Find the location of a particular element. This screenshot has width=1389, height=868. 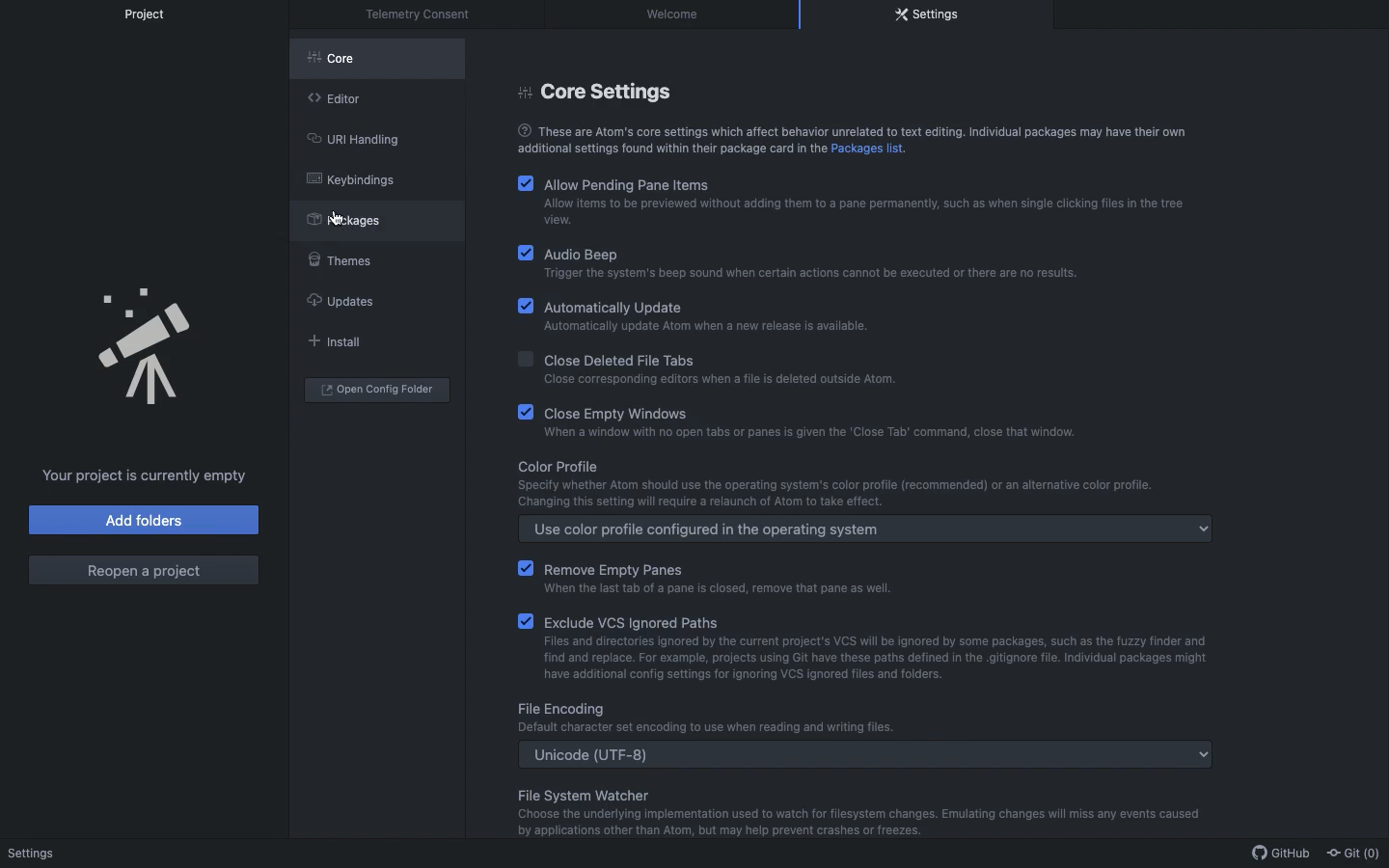

Reopen a project is located at coordinates (143, 571).